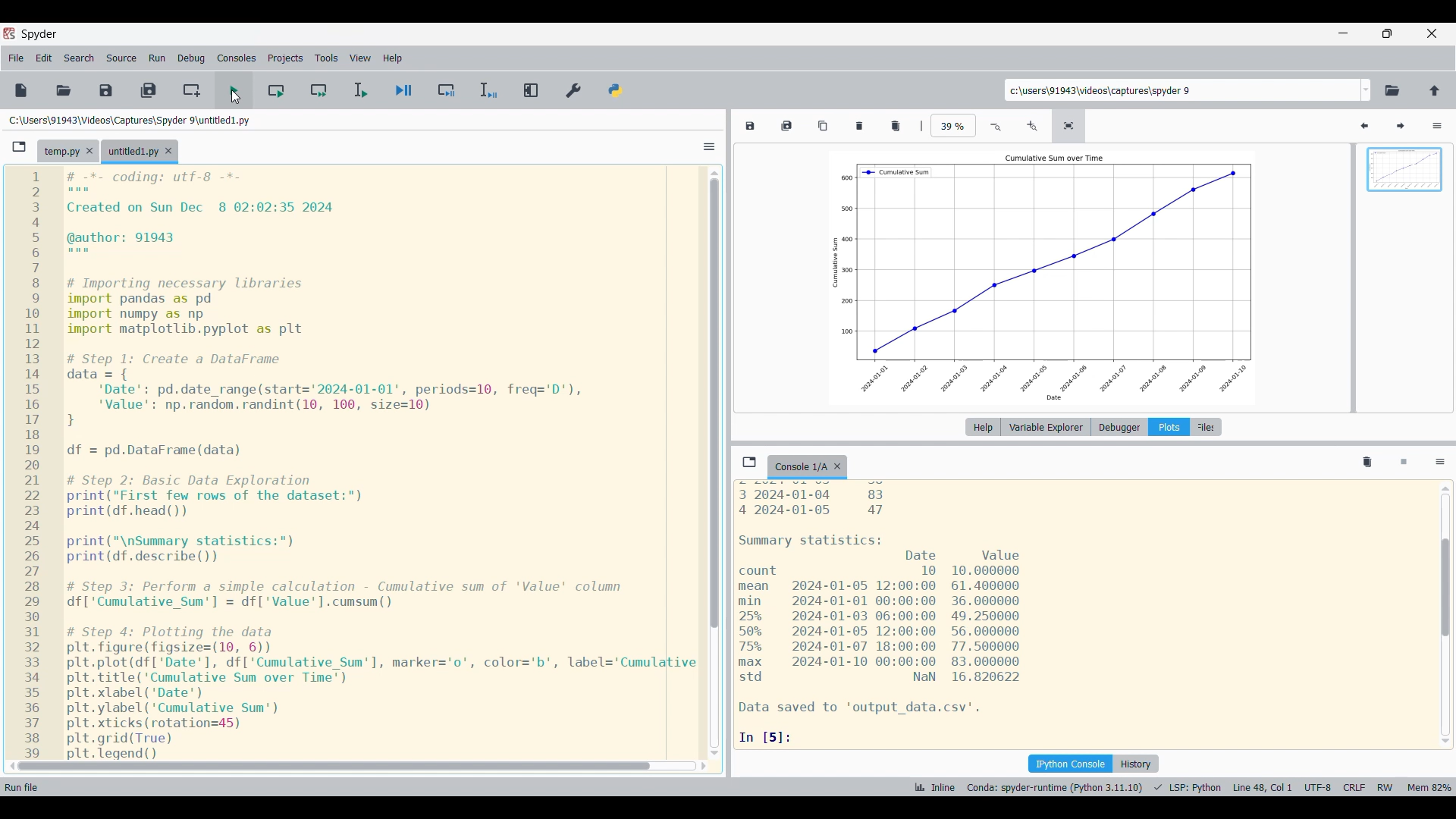 The height and width of the screenshot is (819, 1456). What do you see at coordinates (64, 89) in the screenshot?
I see `Open` at bounding box center [64, 89].